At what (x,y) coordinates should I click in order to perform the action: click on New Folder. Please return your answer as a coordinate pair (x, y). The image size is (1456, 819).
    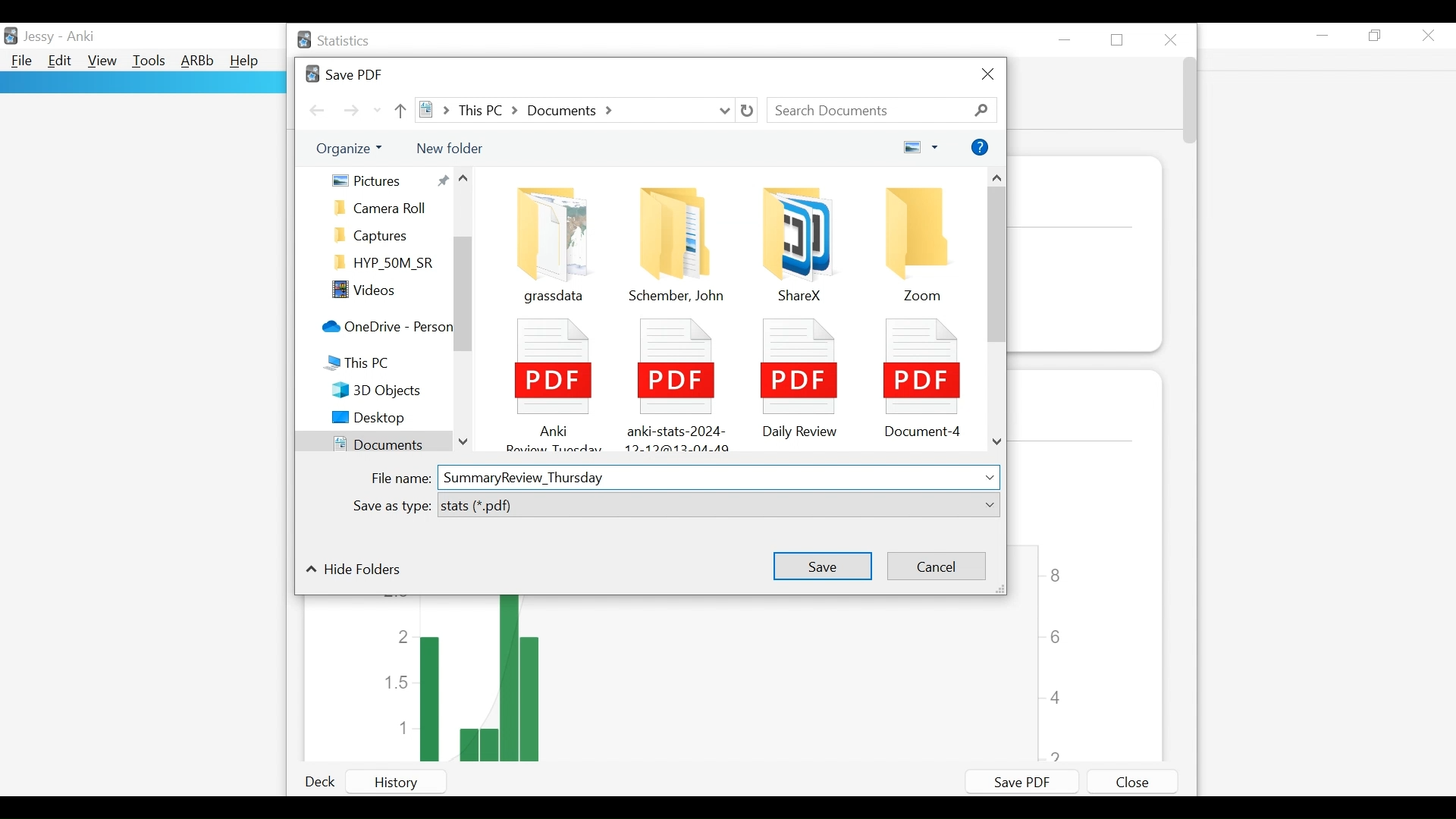
    Looking at the image, I should click on (449, 147).